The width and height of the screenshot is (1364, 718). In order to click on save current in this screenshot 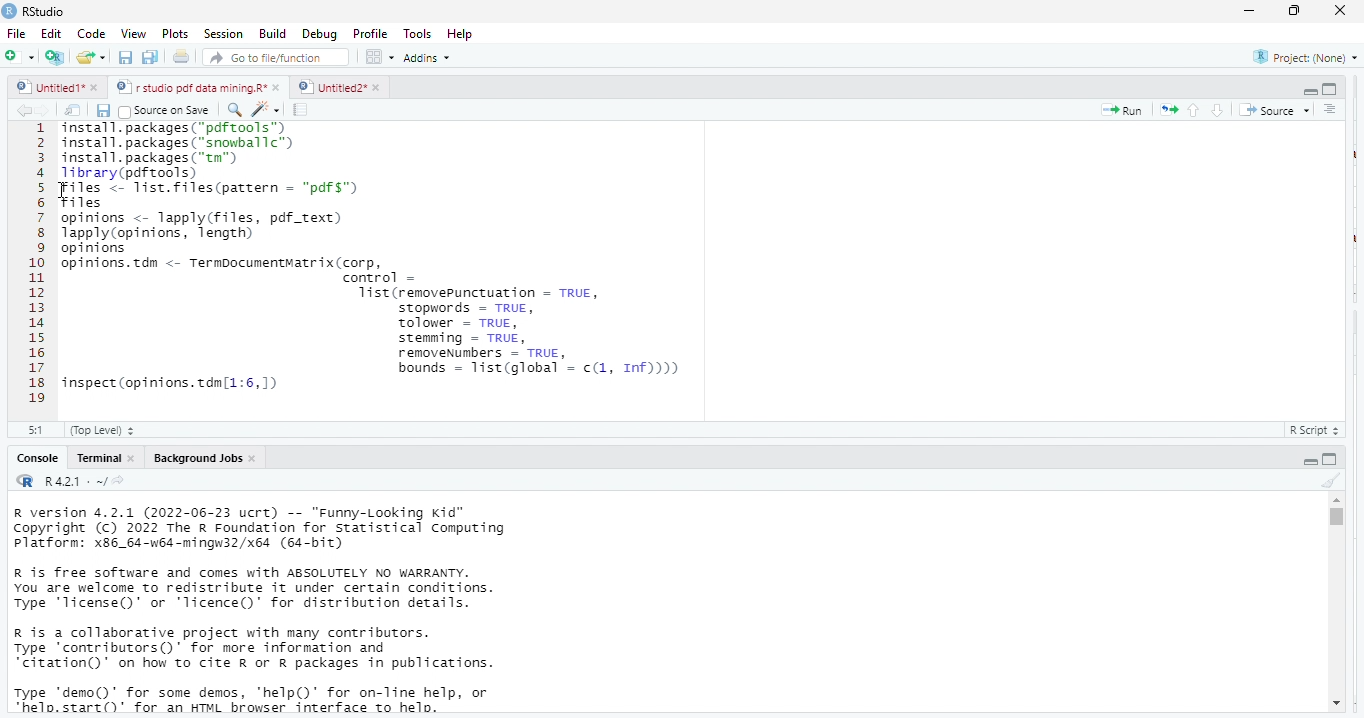, I will do `click(104, 109)`.